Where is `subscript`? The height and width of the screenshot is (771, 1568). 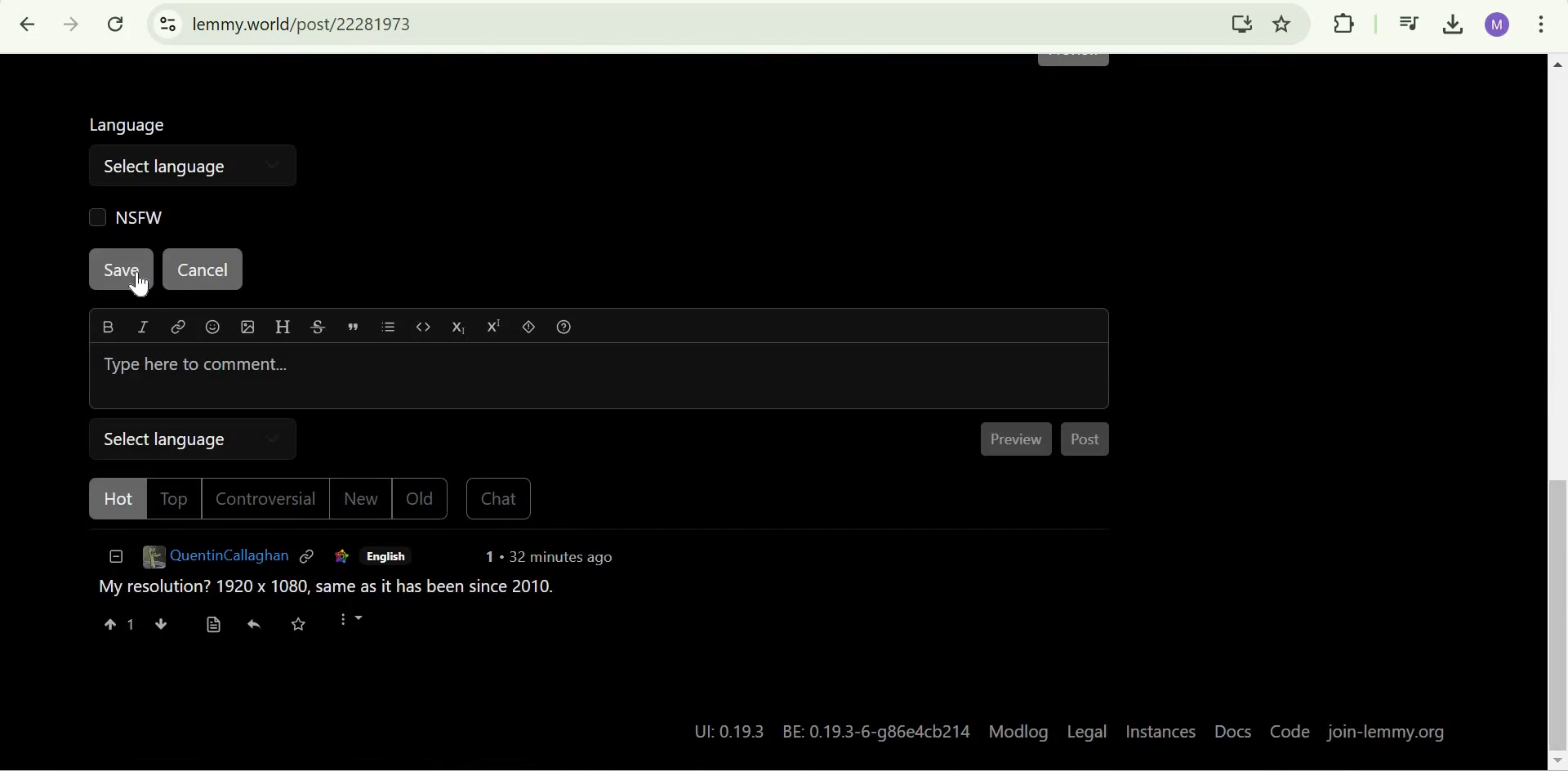
subscript is located at coordinates (462, 328).